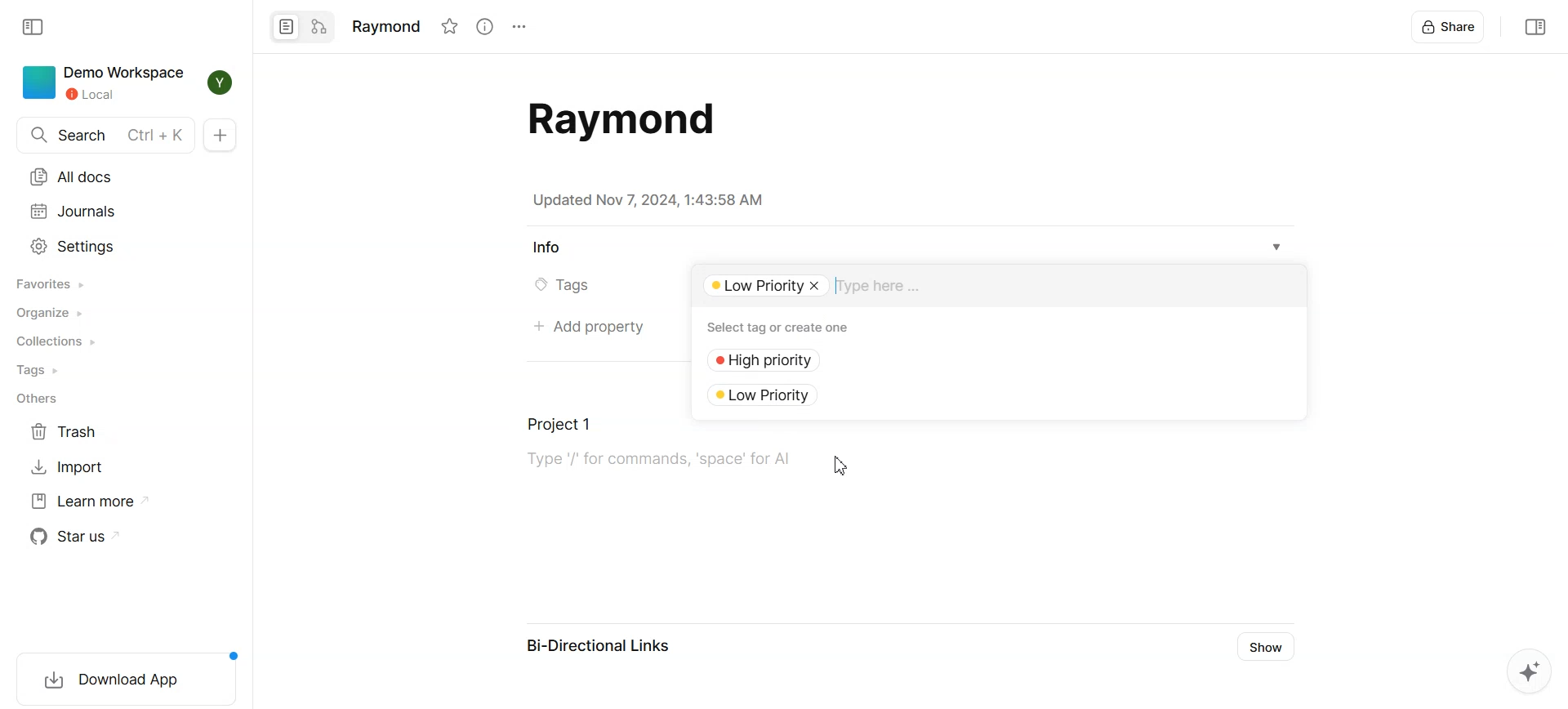  I want to click on New doc, so click(220, 135).